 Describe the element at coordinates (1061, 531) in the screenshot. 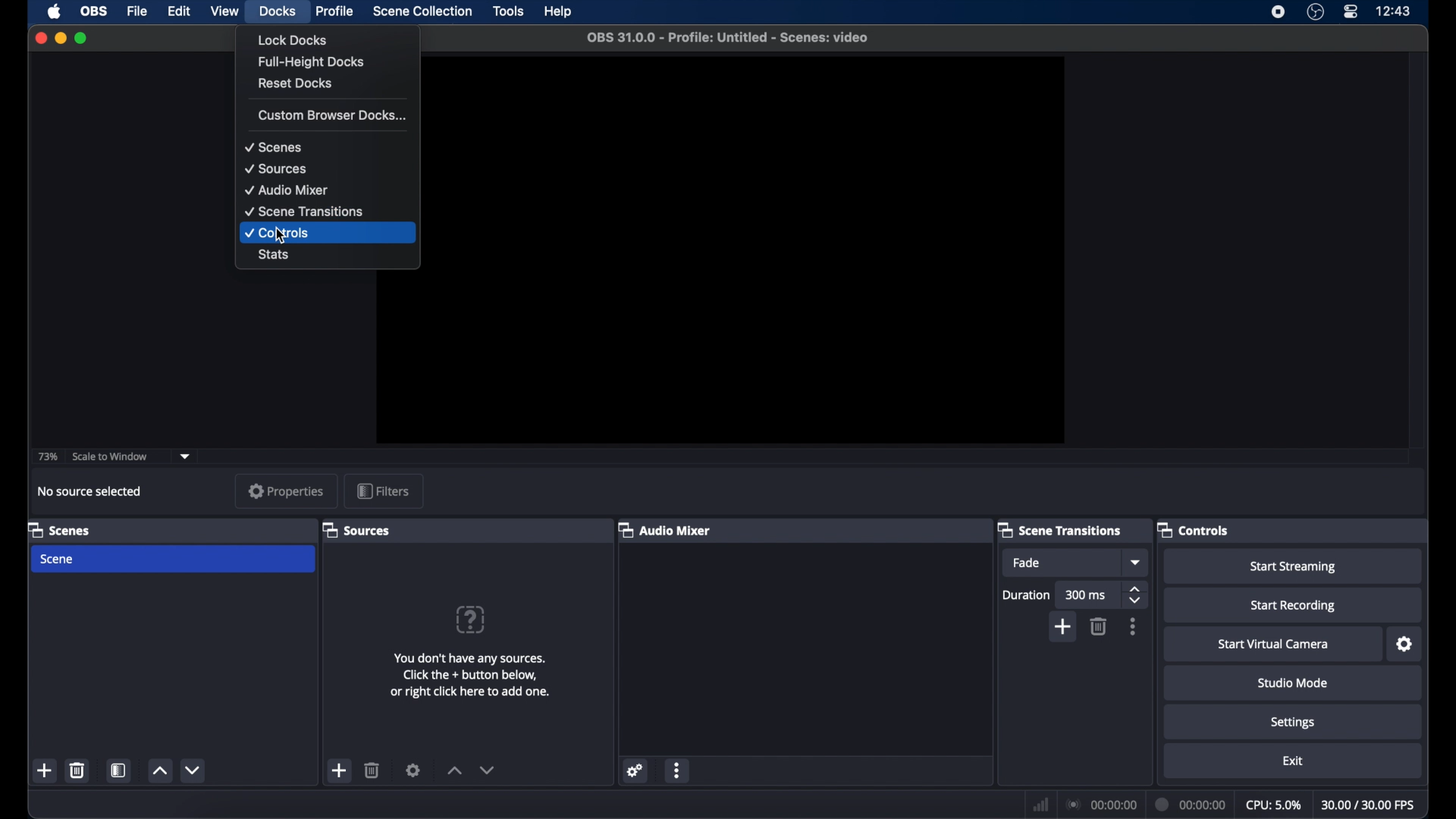

I see `scene transitions` at that location.